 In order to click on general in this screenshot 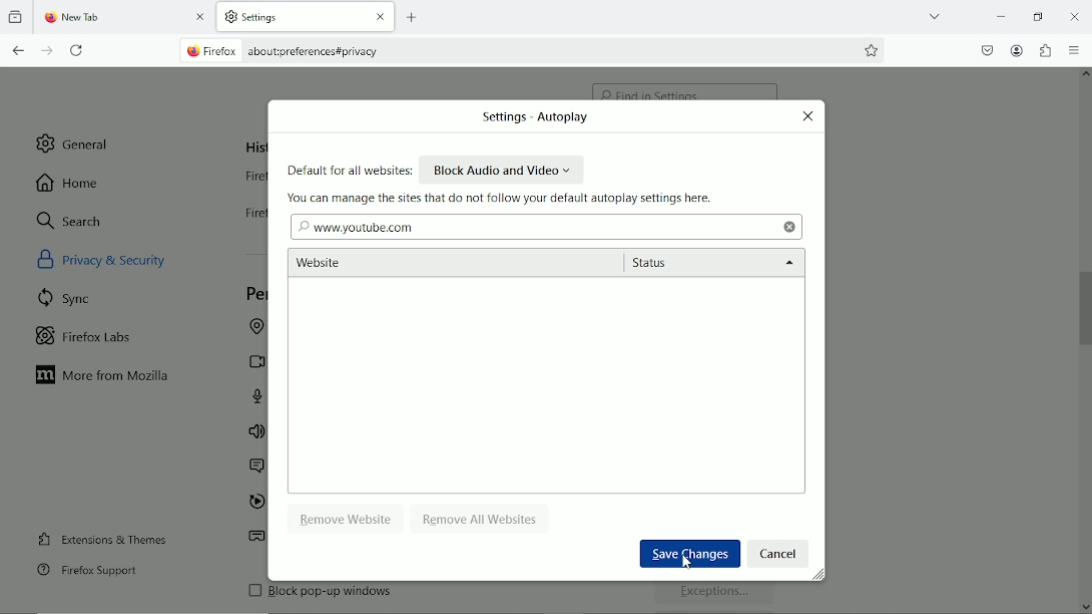, I will do `click(75, 143)`.